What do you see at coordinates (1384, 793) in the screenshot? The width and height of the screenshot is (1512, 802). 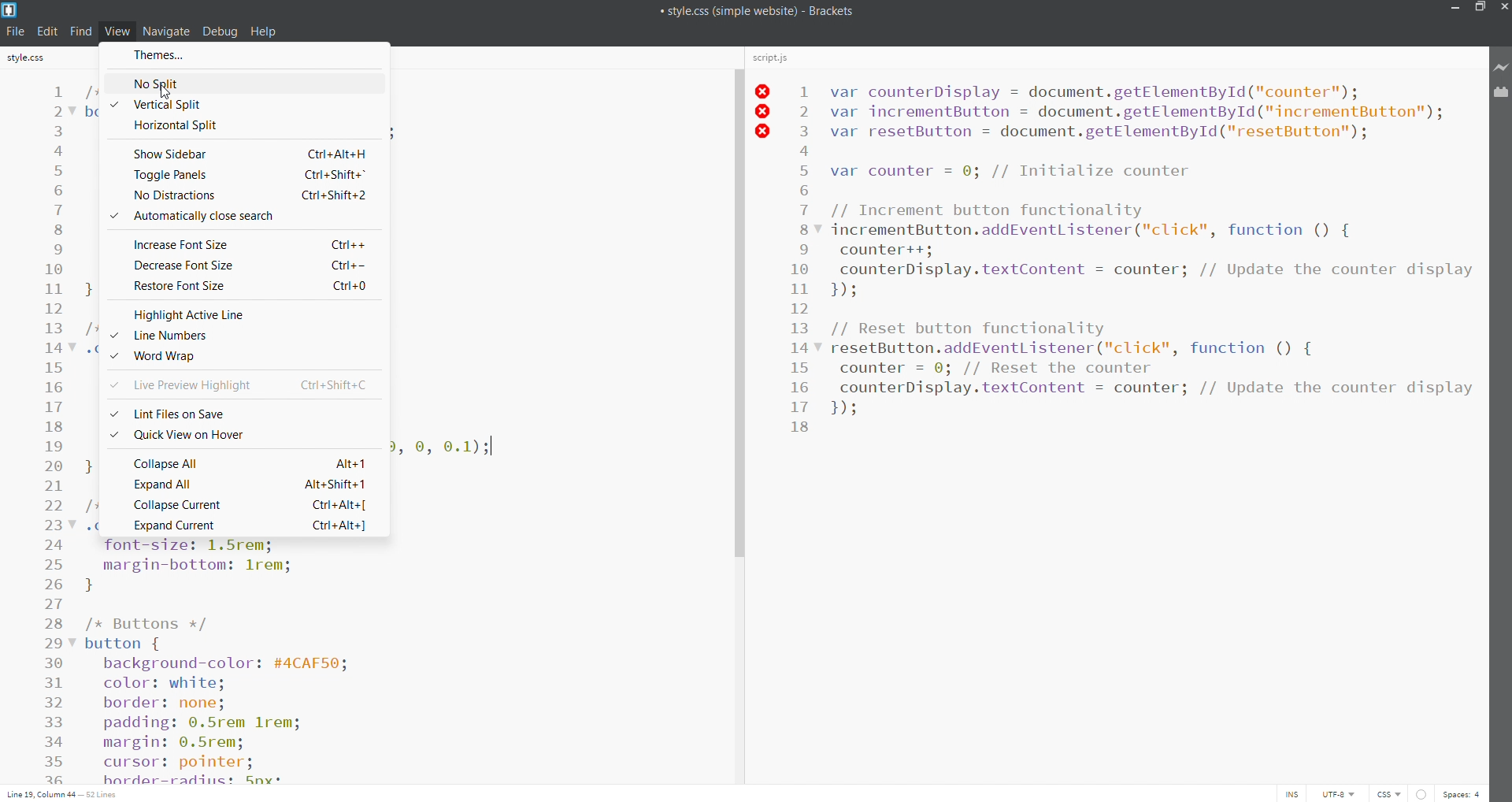 I see `file type` at bounding box center [1384, 793].